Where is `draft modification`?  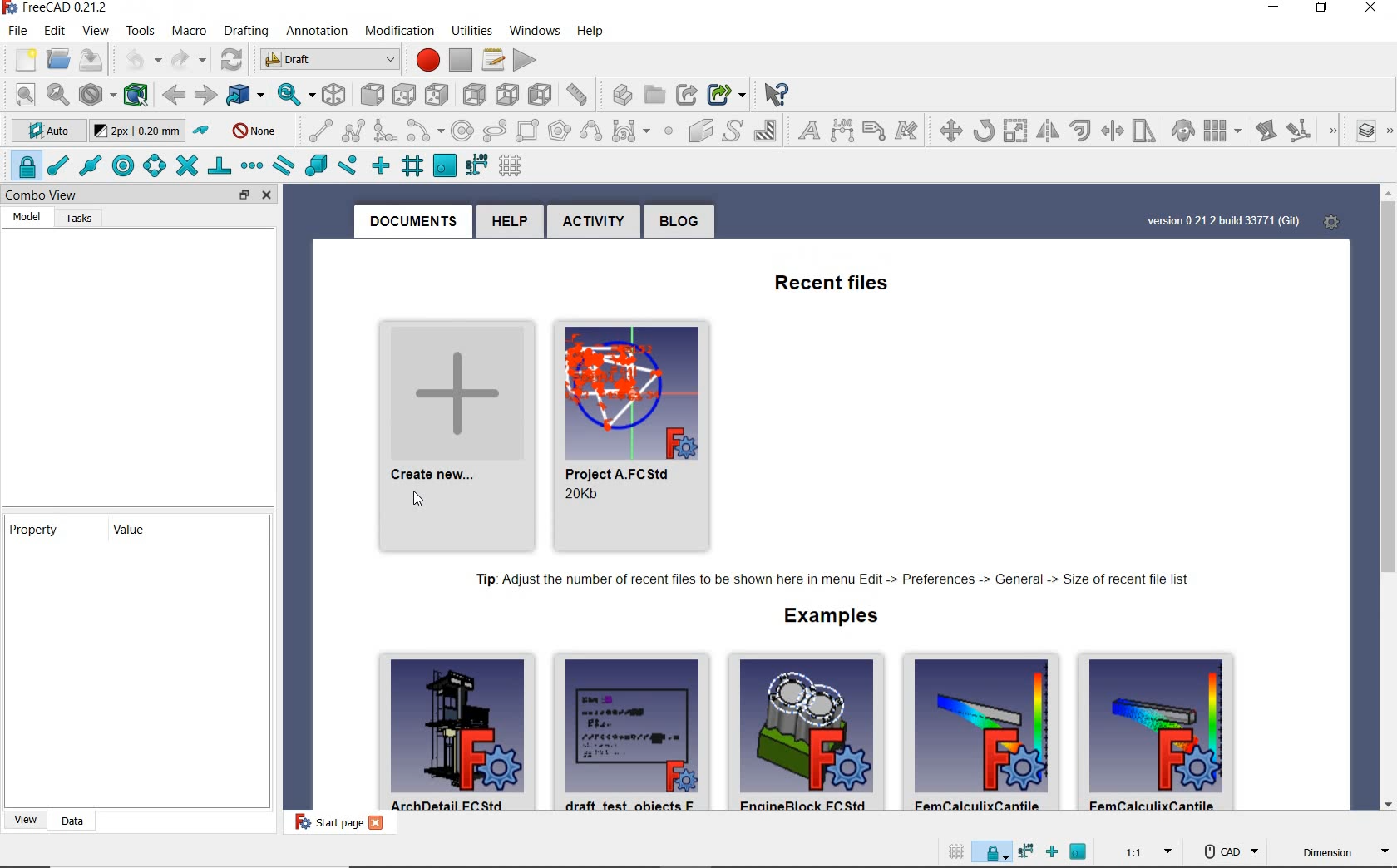
draft modification is located at coordinates (1330, 131).